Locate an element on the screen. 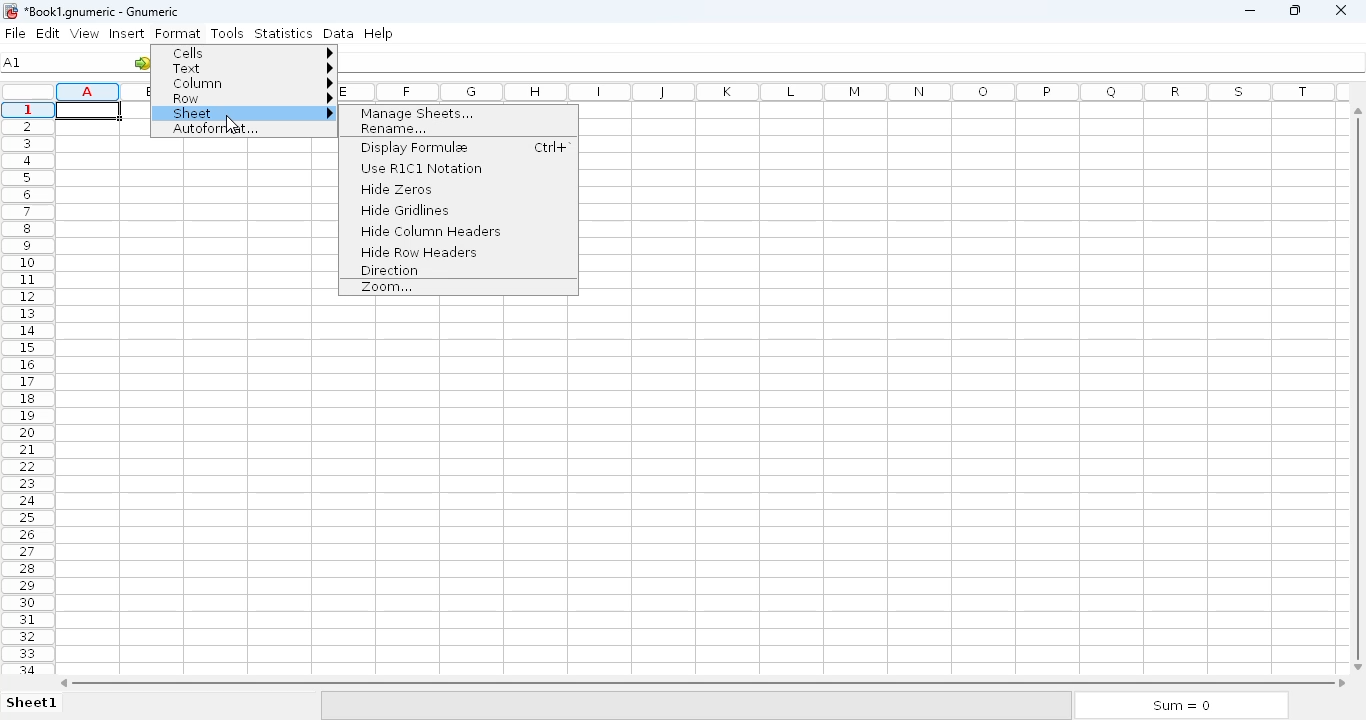  minimize is located at coordinates (1251, 11).